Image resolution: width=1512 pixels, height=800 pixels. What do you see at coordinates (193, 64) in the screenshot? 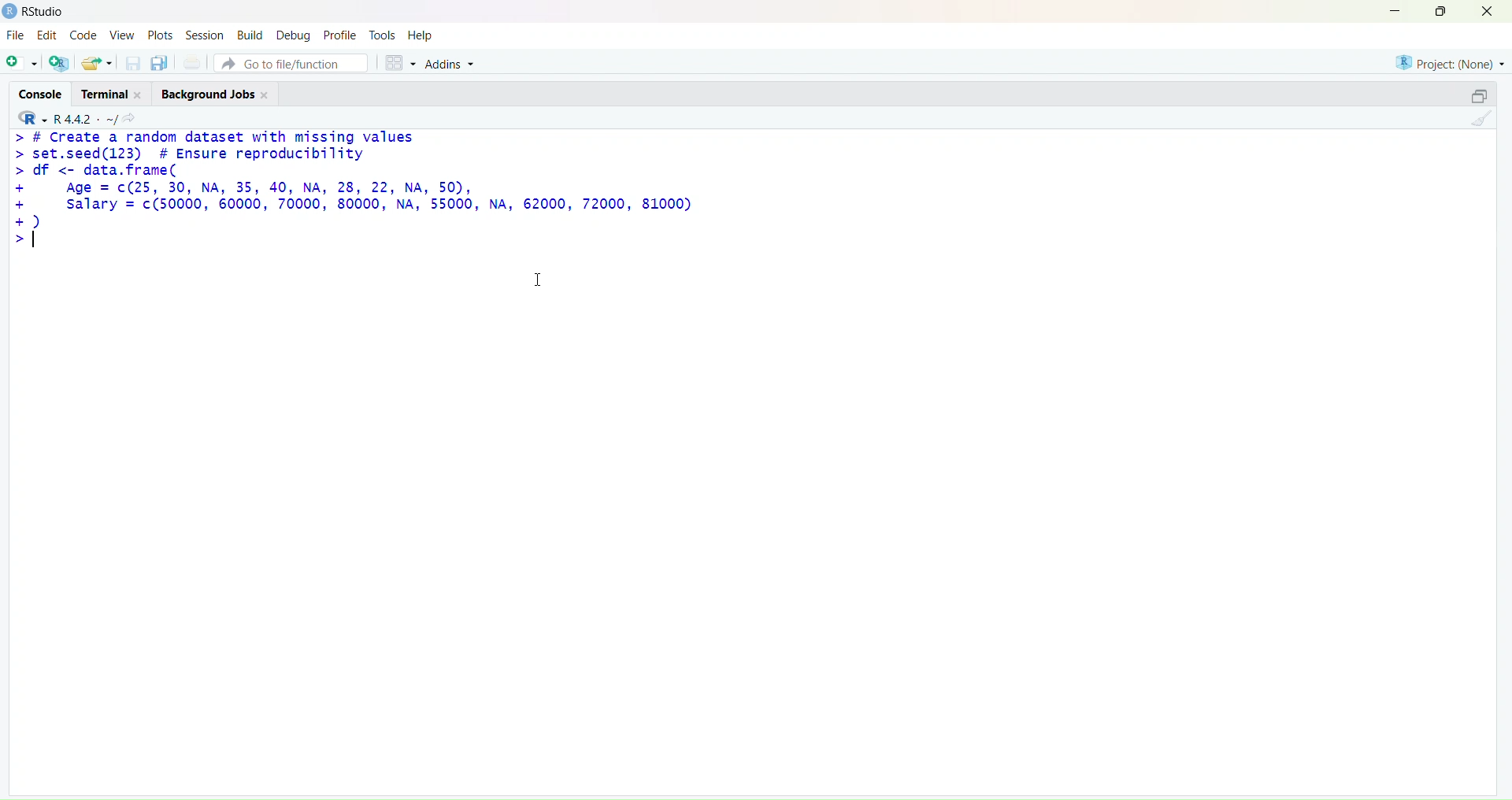
I see `print the current file` at bounding box center [193, 64].